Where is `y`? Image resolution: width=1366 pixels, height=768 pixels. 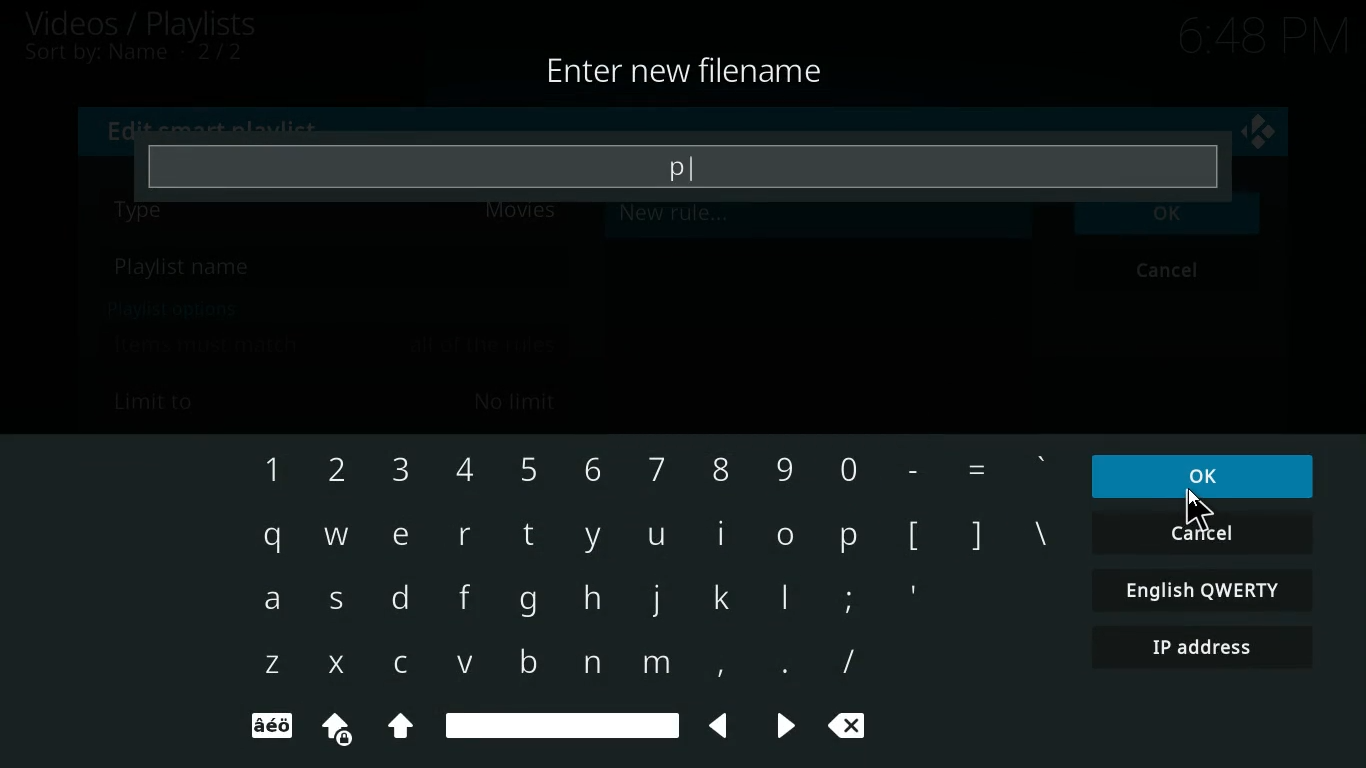
y is located at coordinates (591, 538).